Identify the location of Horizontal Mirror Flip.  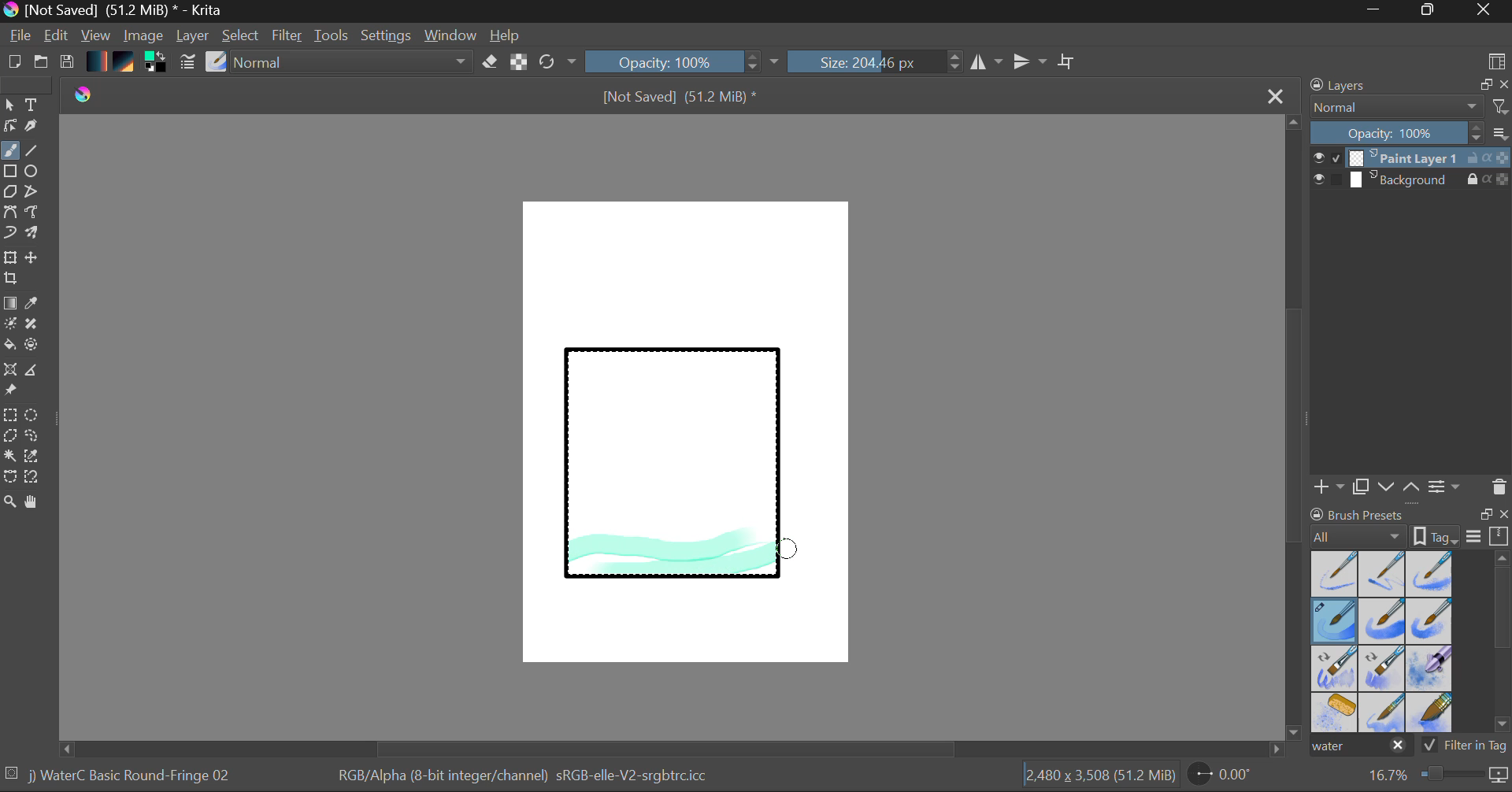
(1033, 63).